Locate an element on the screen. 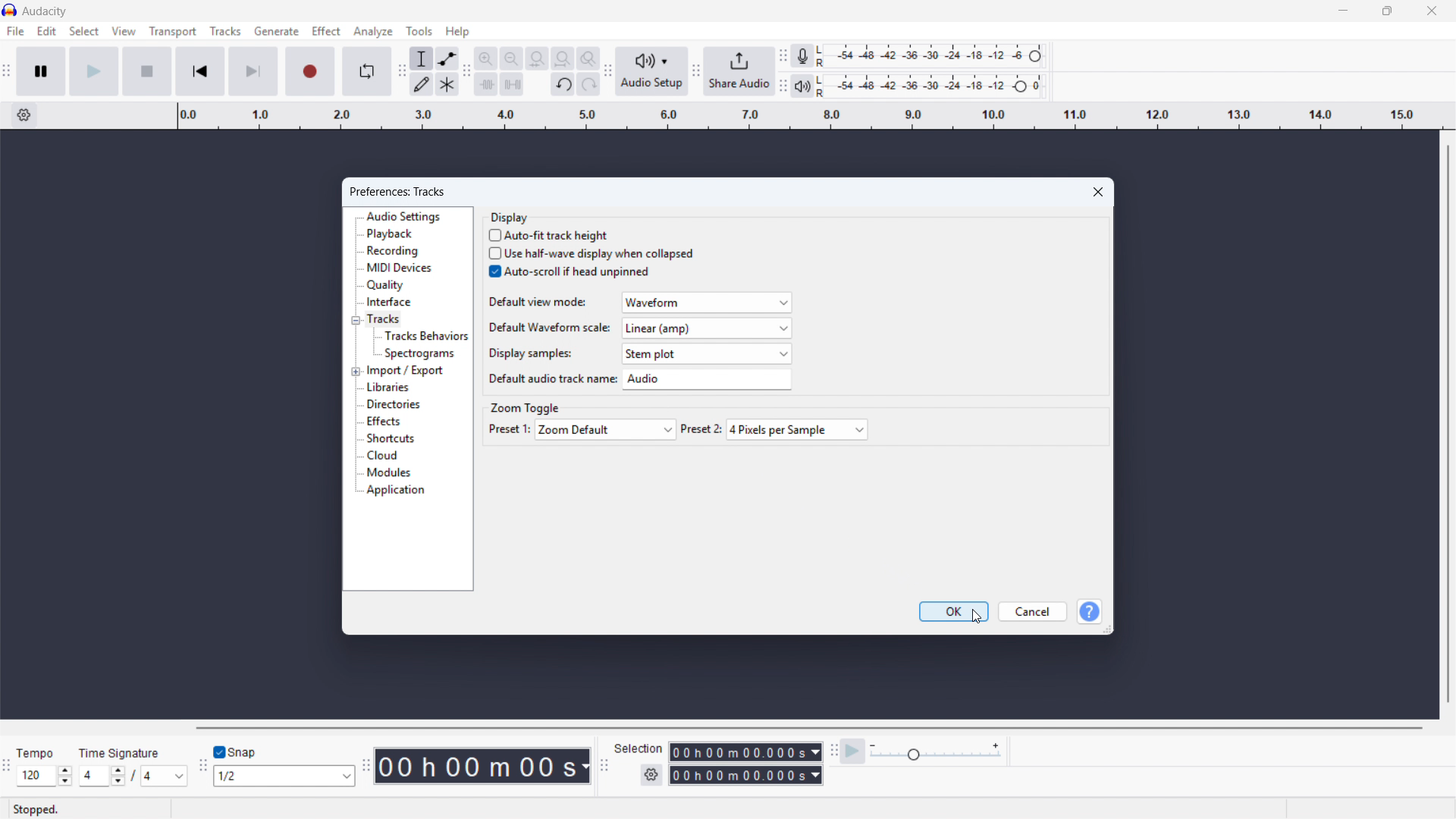 The image size is (1456, 819). tools is located at coordinates (419, 31).